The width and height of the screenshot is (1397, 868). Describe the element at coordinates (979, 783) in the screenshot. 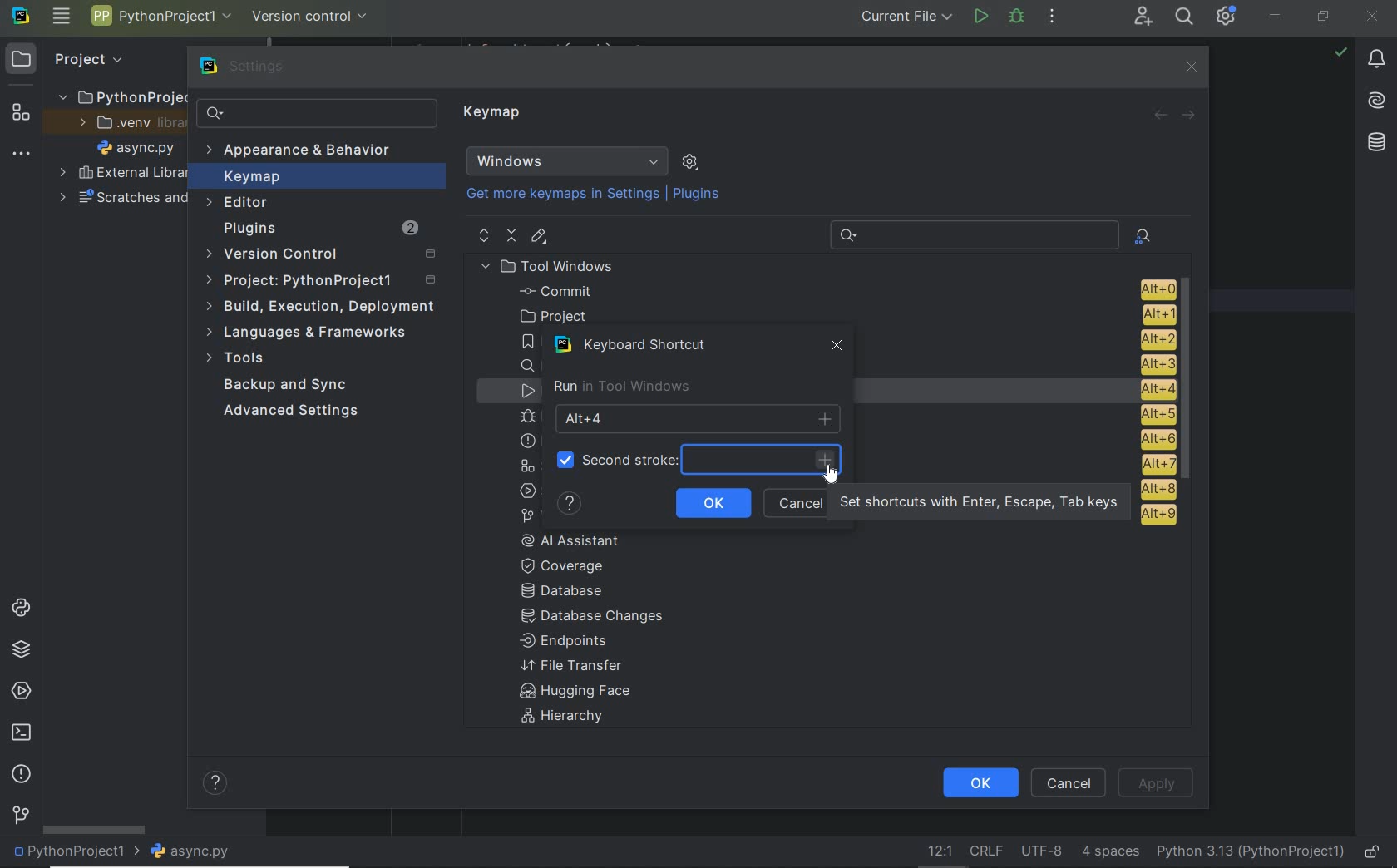

I see `ok` at that location.